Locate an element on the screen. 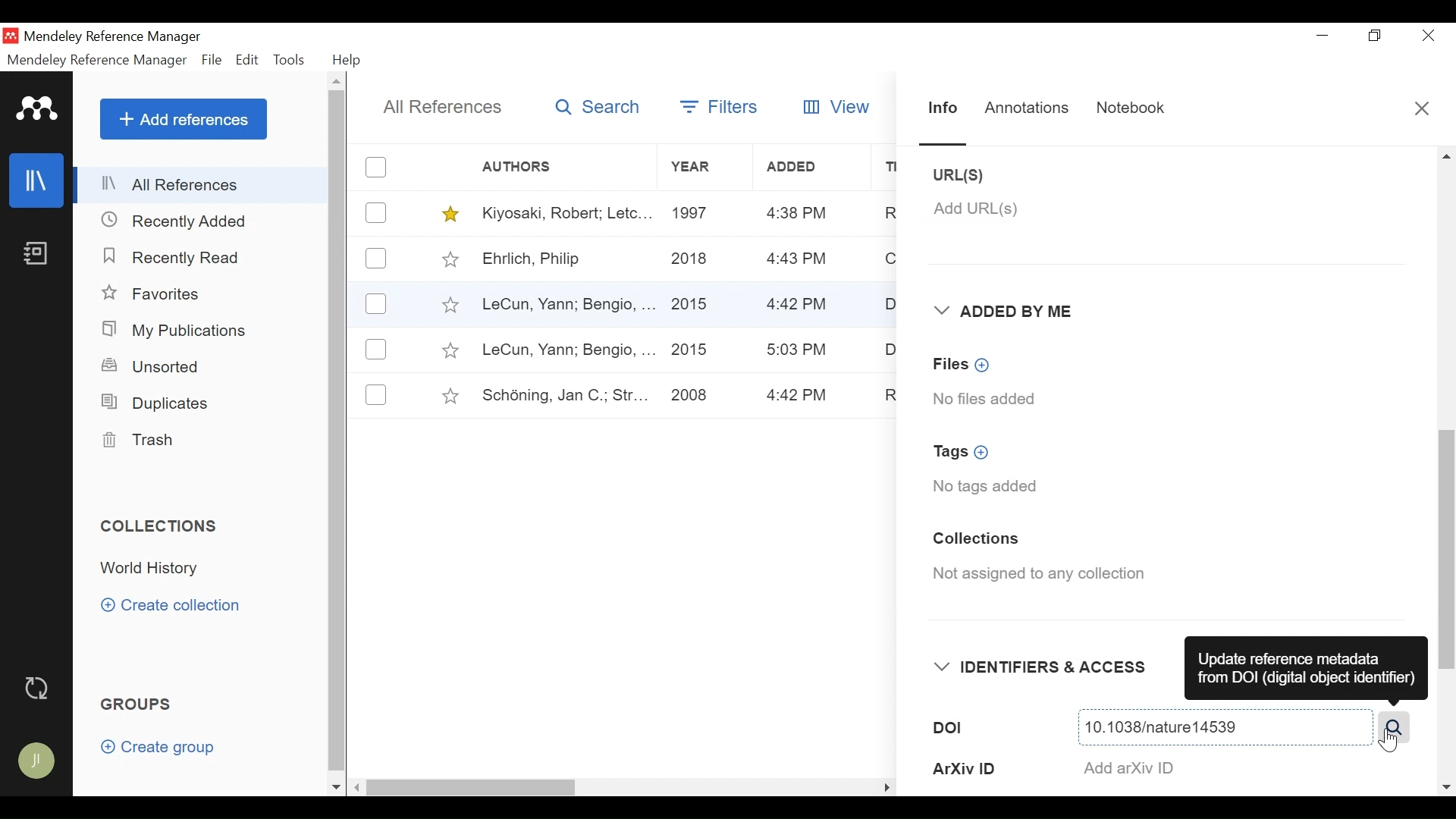 Image resolution: width=1456 pixels, height=819 pixels. Up is located at coordinates (1446, 156).